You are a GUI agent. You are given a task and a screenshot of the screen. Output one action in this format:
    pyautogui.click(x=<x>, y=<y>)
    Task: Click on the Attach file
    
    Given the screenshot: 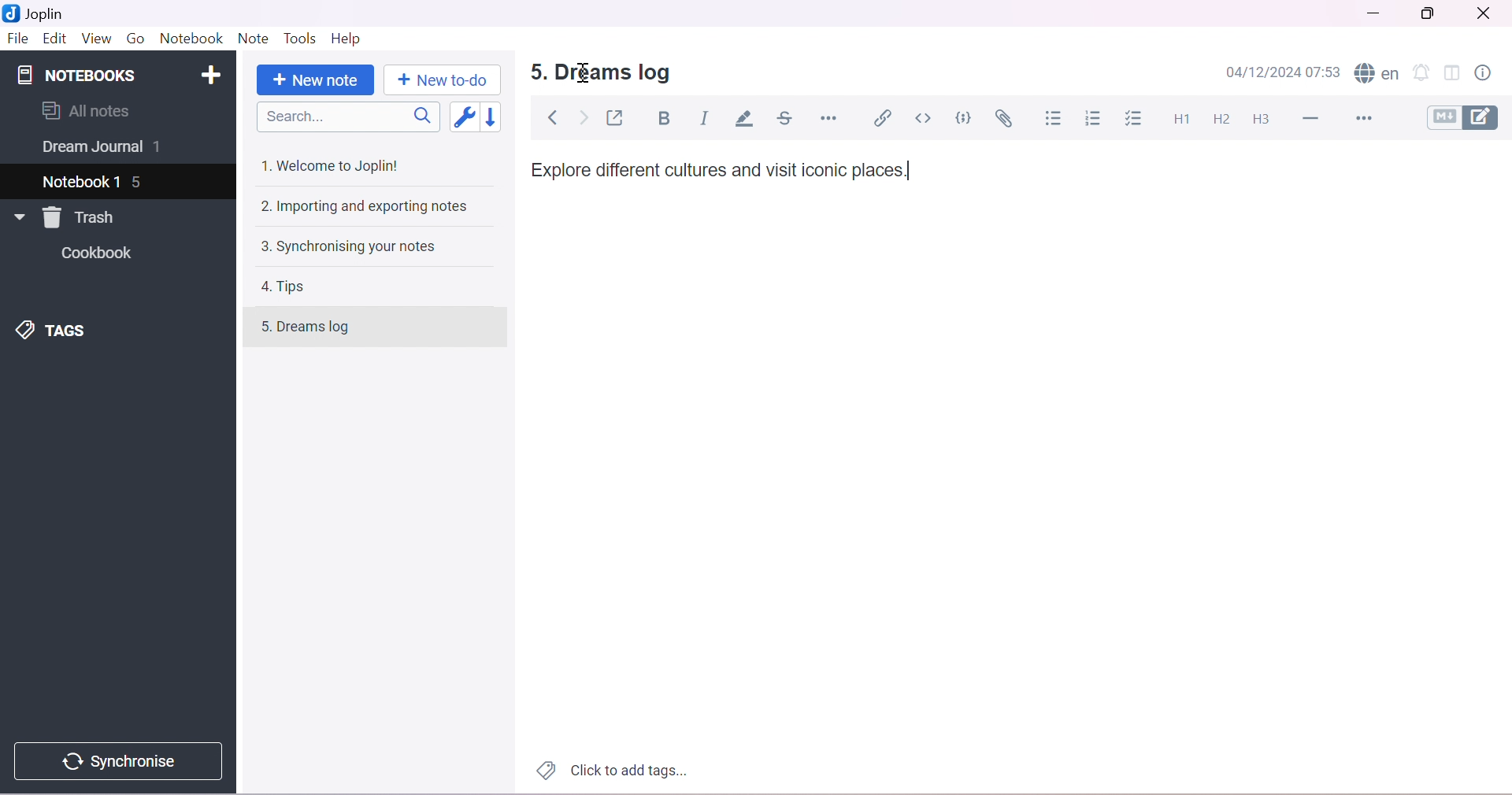 What is the action you would take?
    pyautogui.click(x=1007, y=120)
    